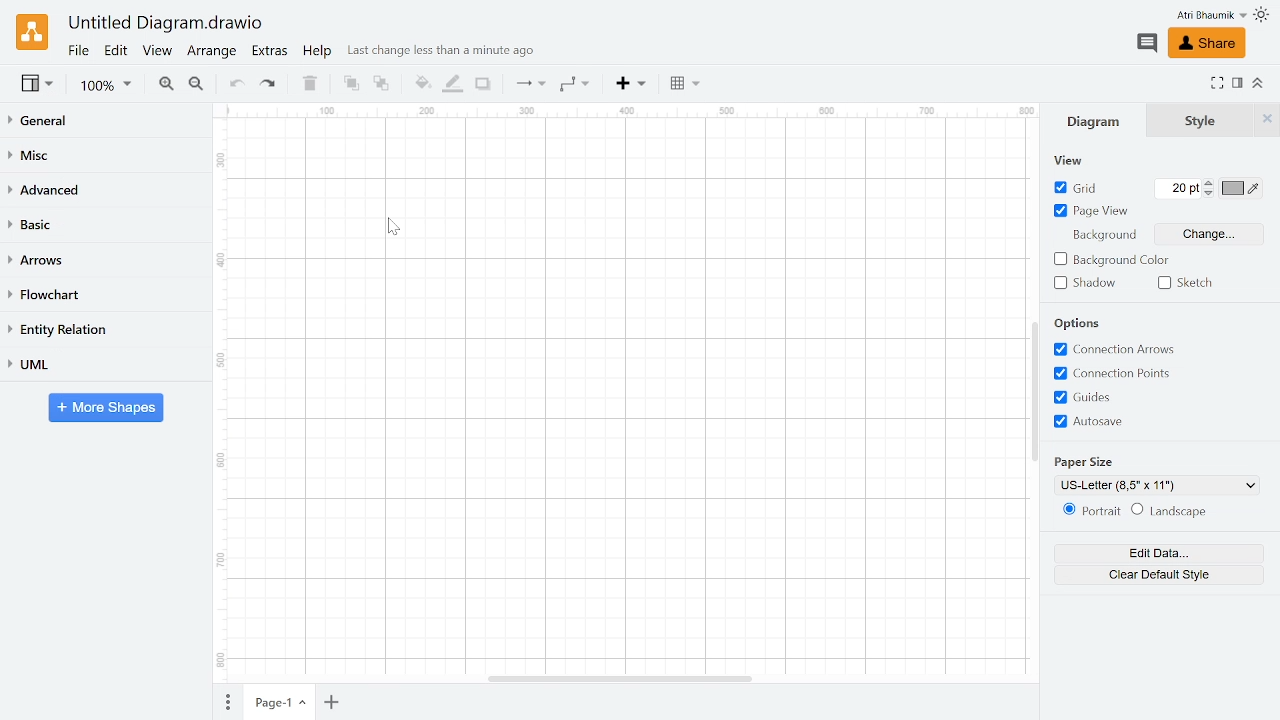 The image size is (1280, 720). What do you see at coordinates (1114, 259) in the screenshot?
I see `Background color` at bounding box center [1114, 259].